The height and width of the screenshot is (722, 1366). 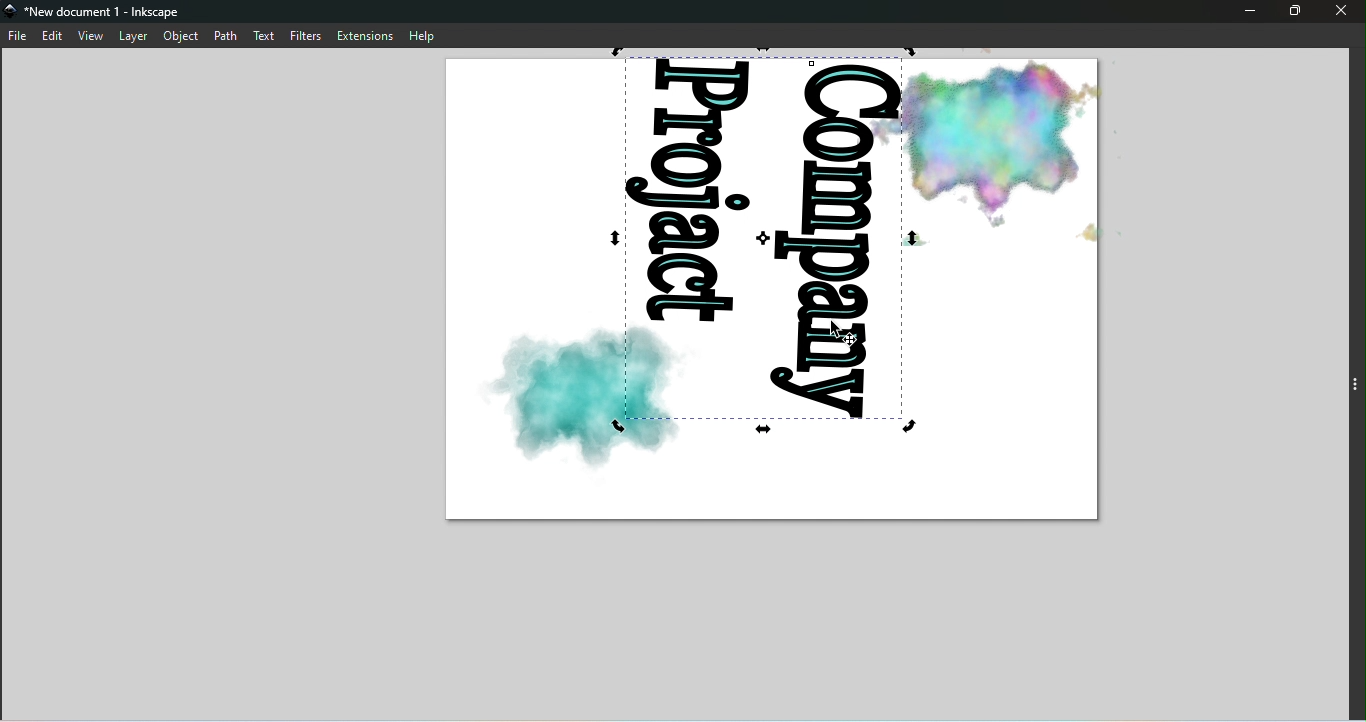 I want to click on cursor, so click(x=846, y=335).